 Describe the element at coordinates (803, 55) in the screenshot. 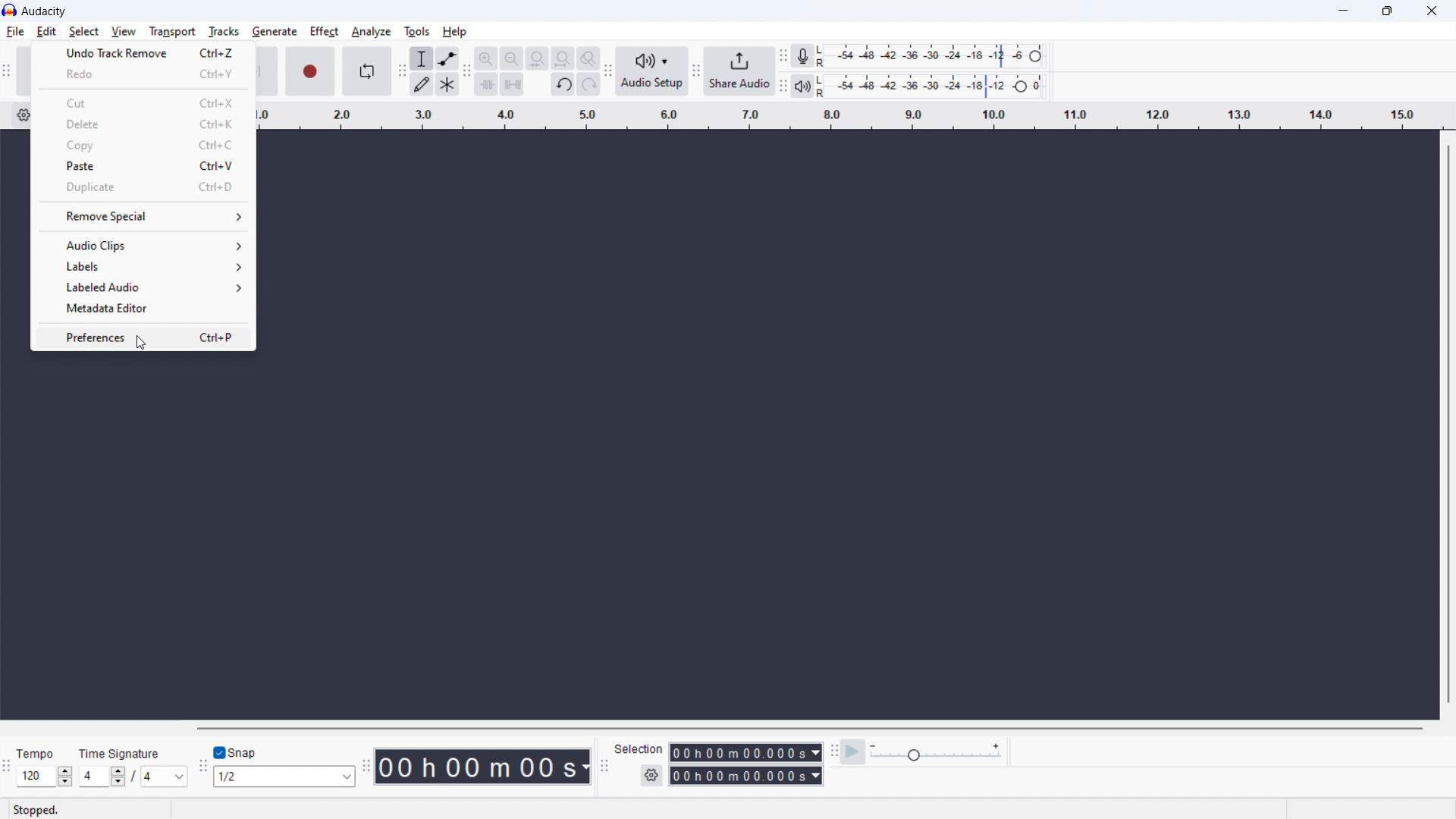

I see `recording meter` at that location.